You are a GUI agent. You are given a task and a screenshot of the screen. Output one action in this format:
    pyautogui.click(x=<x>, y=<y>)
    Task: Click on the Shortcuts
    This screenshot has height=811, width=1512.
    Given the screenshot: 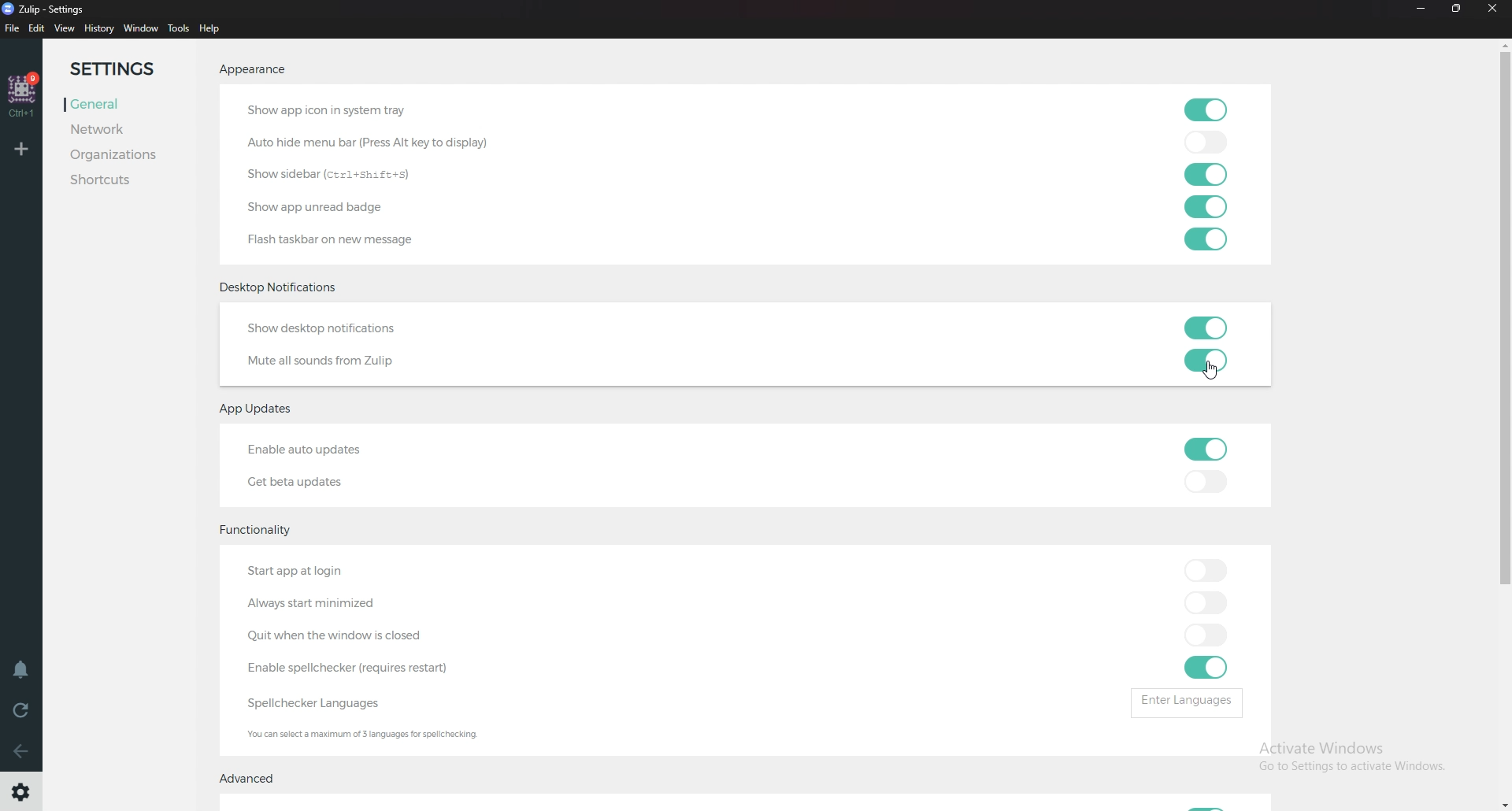 What is the action you would take?
    pyautogui.click(x=123, y=181)
    